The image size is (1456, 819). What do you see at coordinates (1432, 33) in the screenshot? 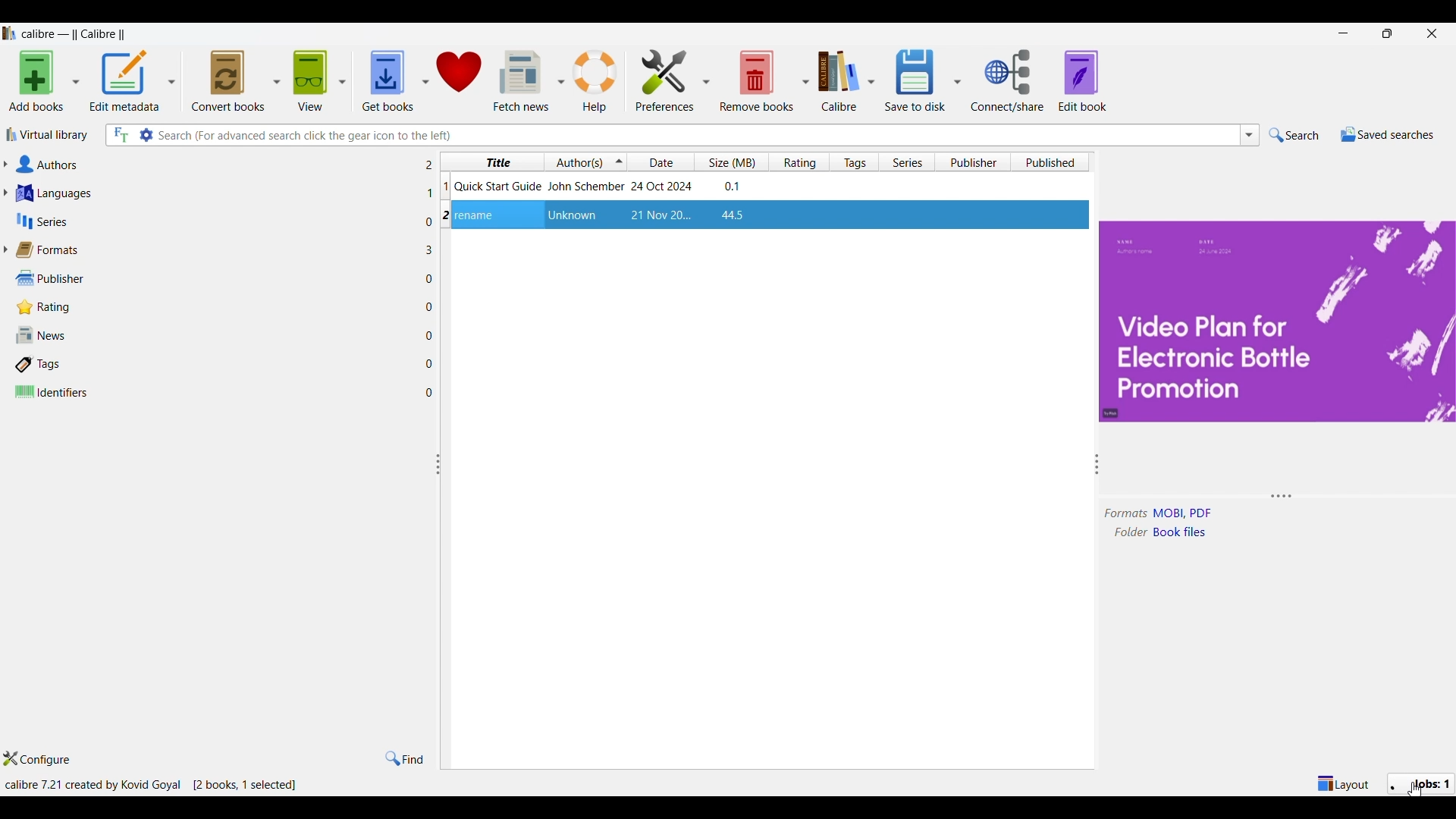
I see `Close interface` at bounding box center [1432, 33].